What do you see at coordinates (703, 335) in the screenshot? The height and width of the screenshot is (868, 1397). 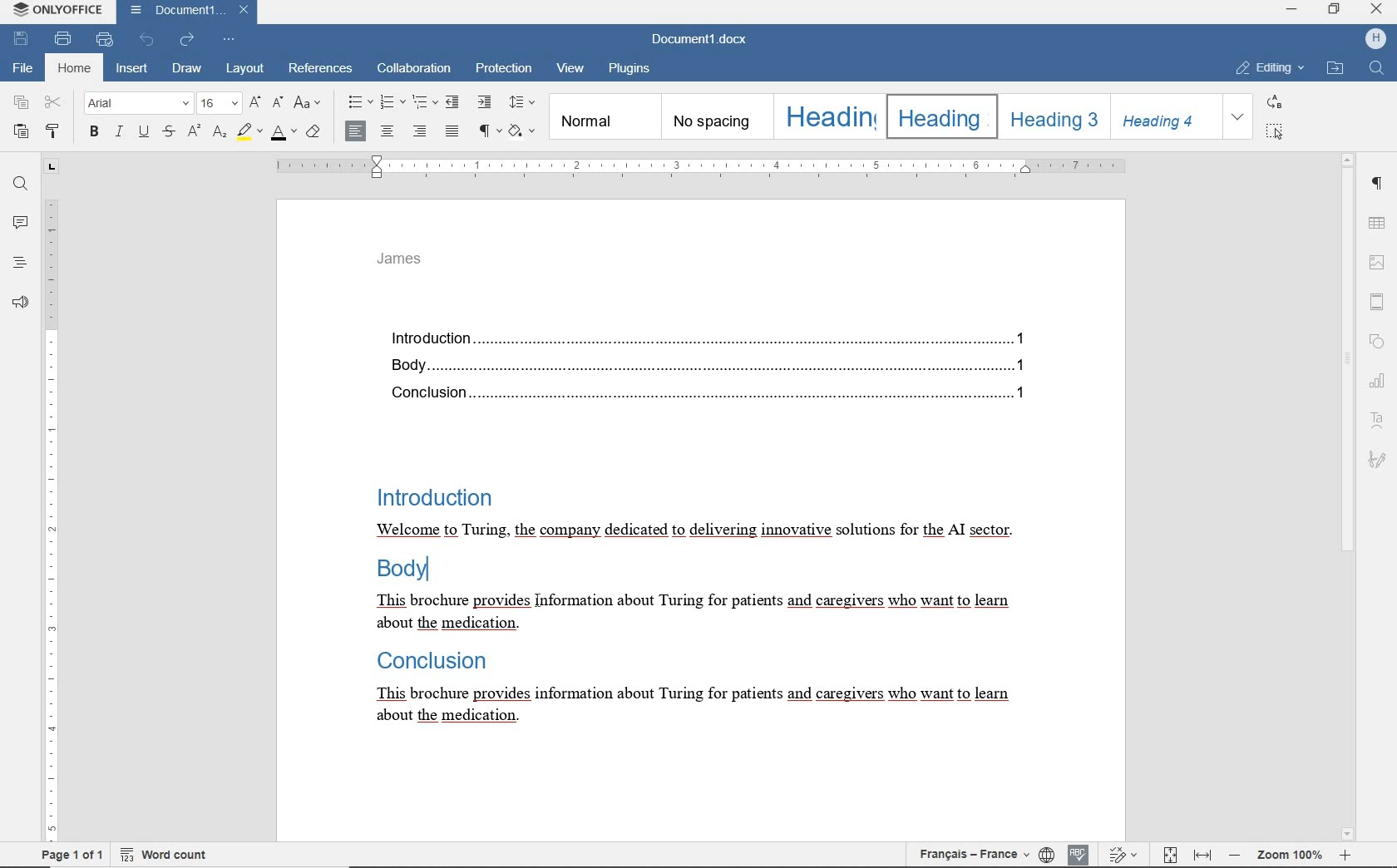 I see `Introduction...1` at bounding box center [703, 335].